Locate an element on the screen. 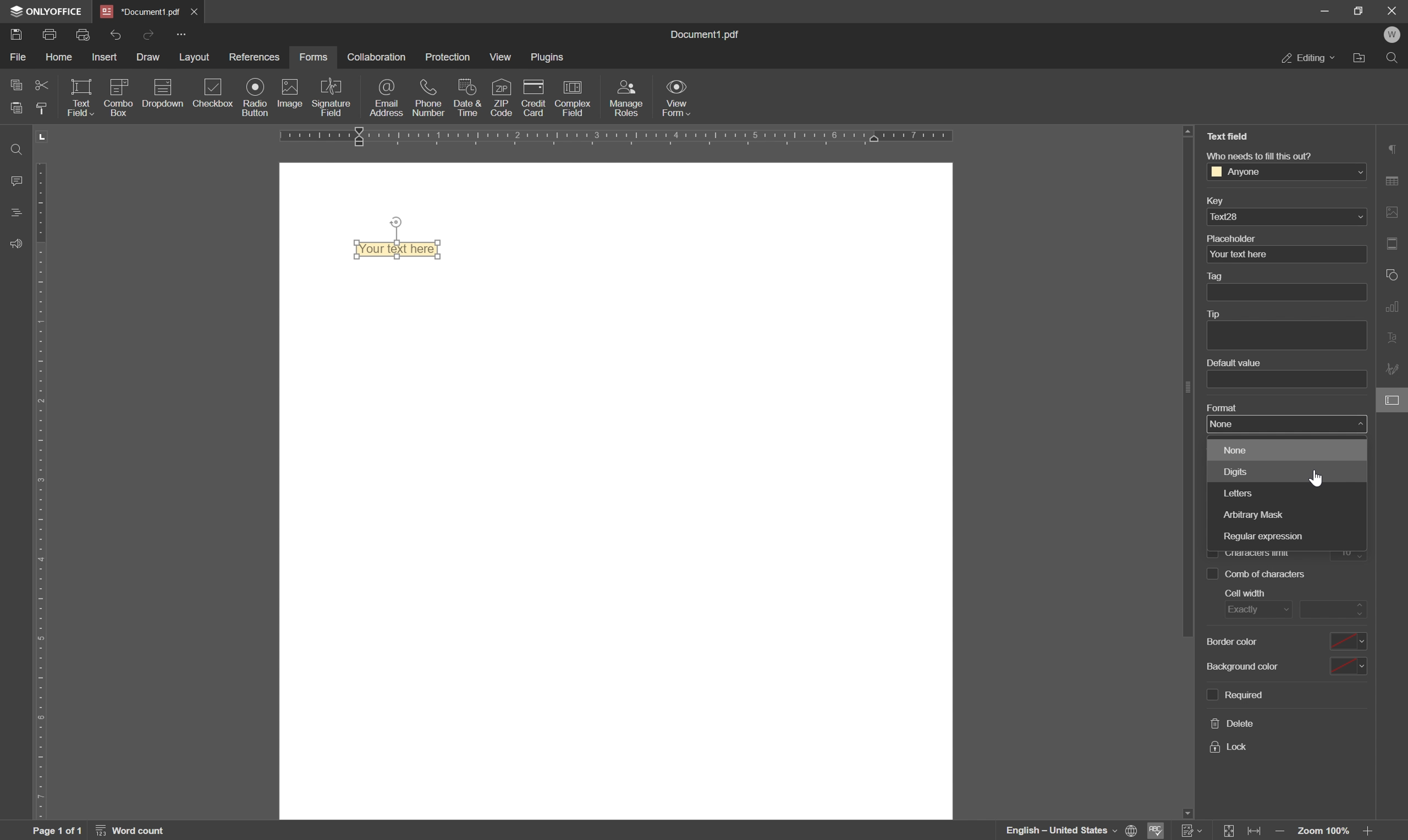  text art settings is located at coordinates (1394, 333).